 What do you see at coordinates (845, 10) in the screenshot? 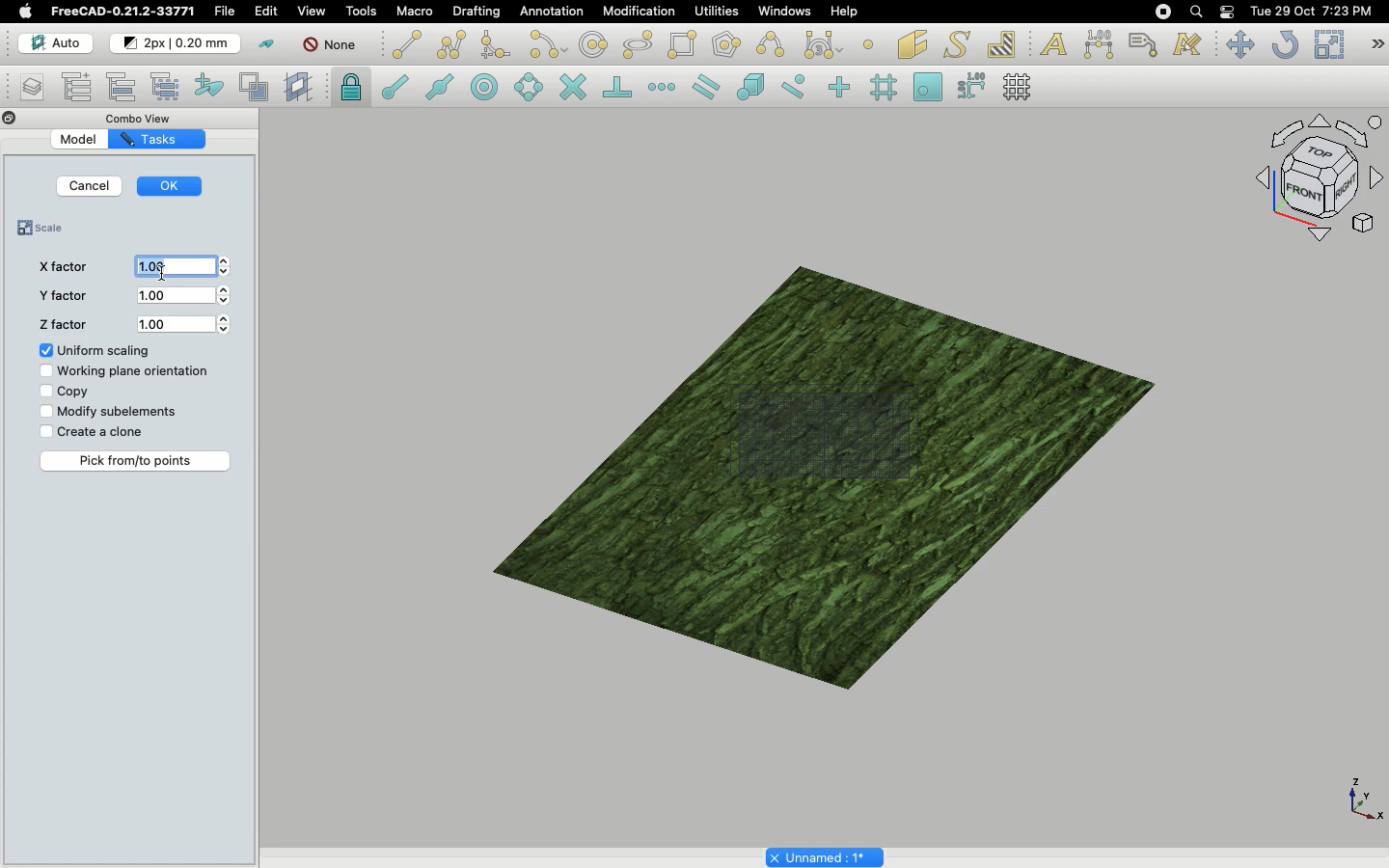
I see `Help` at bounding box center [845, 10].